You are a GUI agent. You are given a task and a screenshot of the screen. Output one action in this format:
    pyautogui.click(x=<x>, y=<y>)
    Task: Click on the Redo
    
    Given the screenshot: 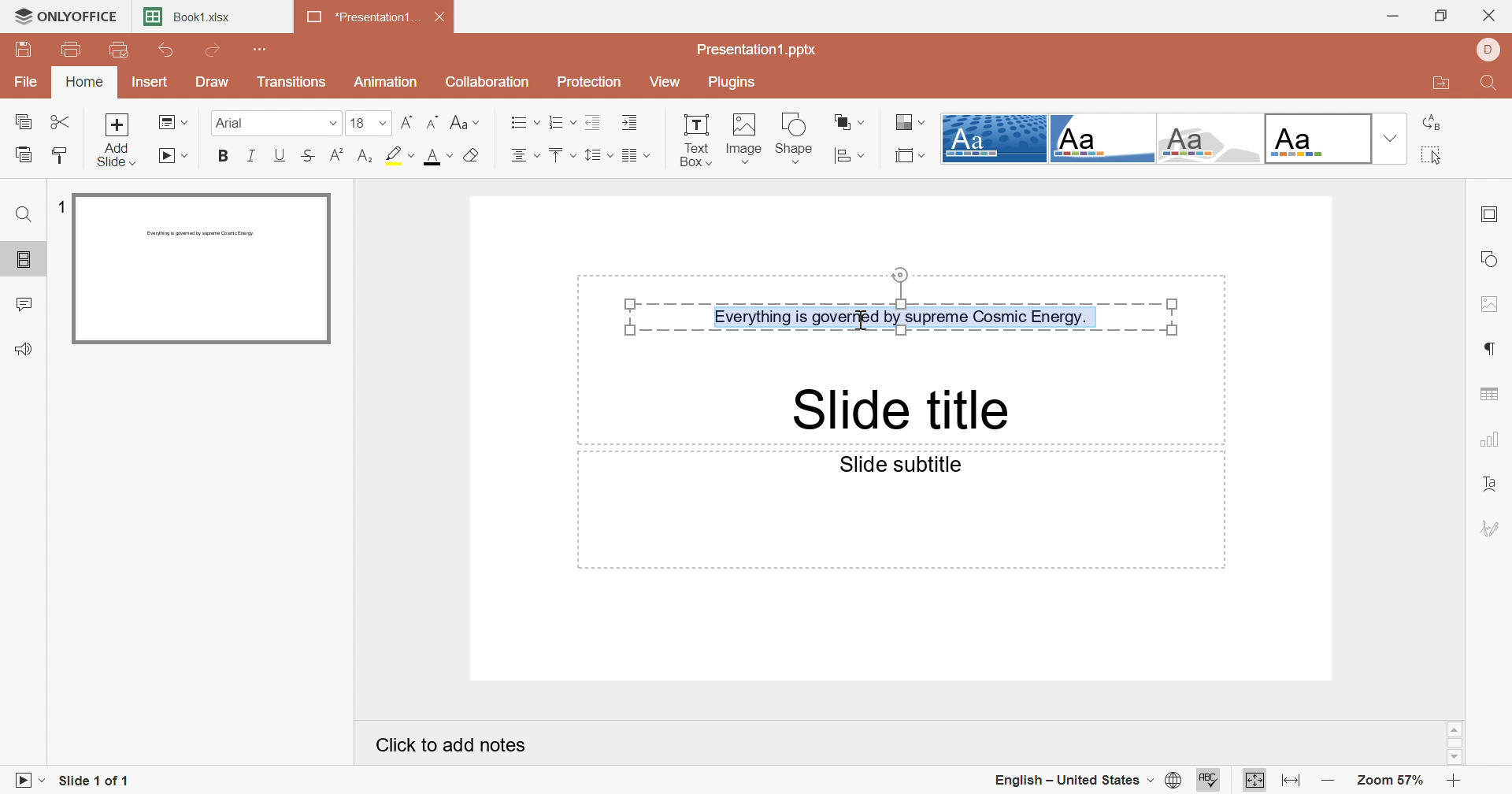 What is the action you would take?
    pyautogui.click(x=212, y=51)
    